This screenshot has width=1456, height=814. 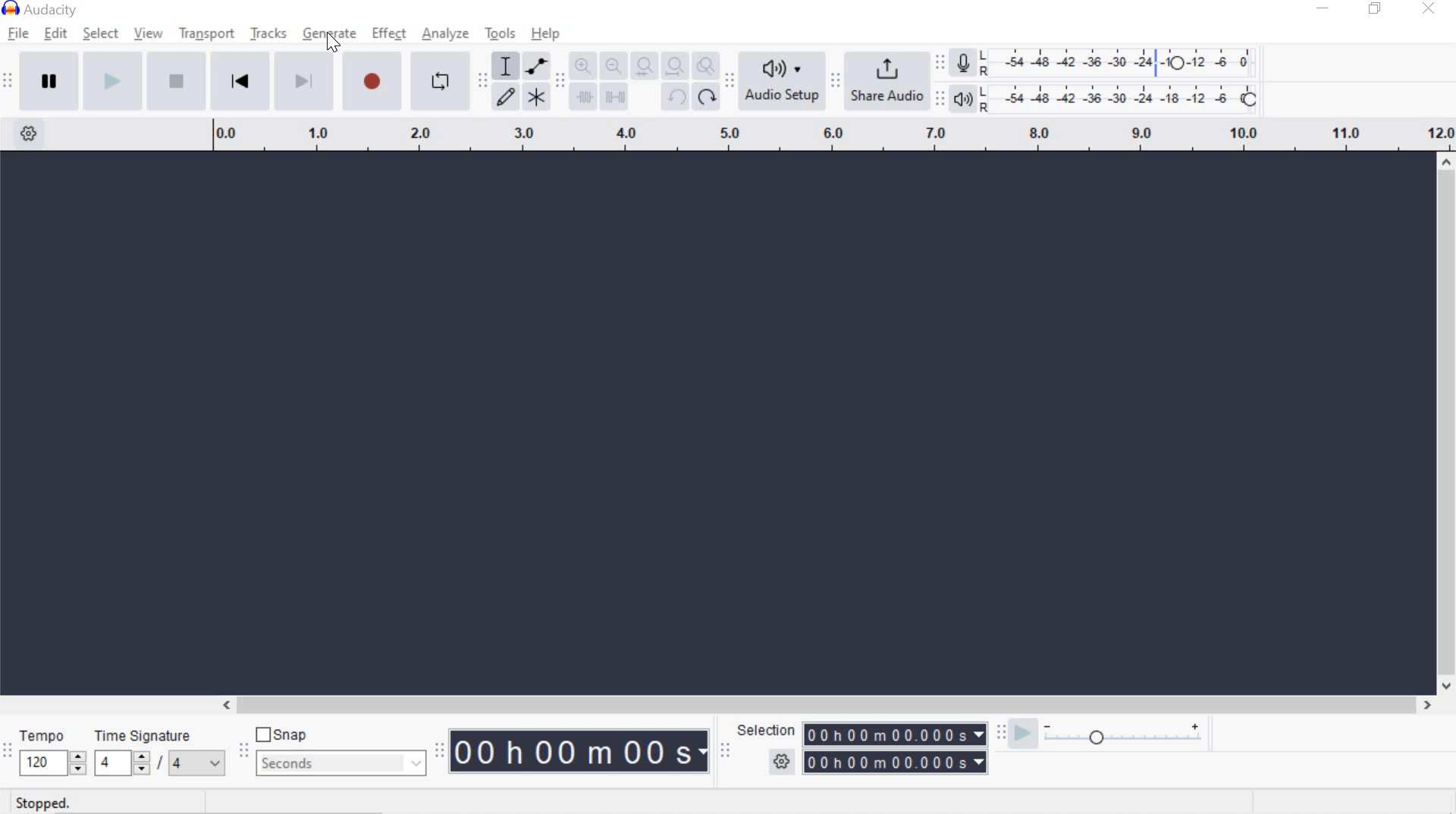 What do you see at coordinates (833, 136) in the screenshot?
I see `looping region` at bounding box center [833, 136].